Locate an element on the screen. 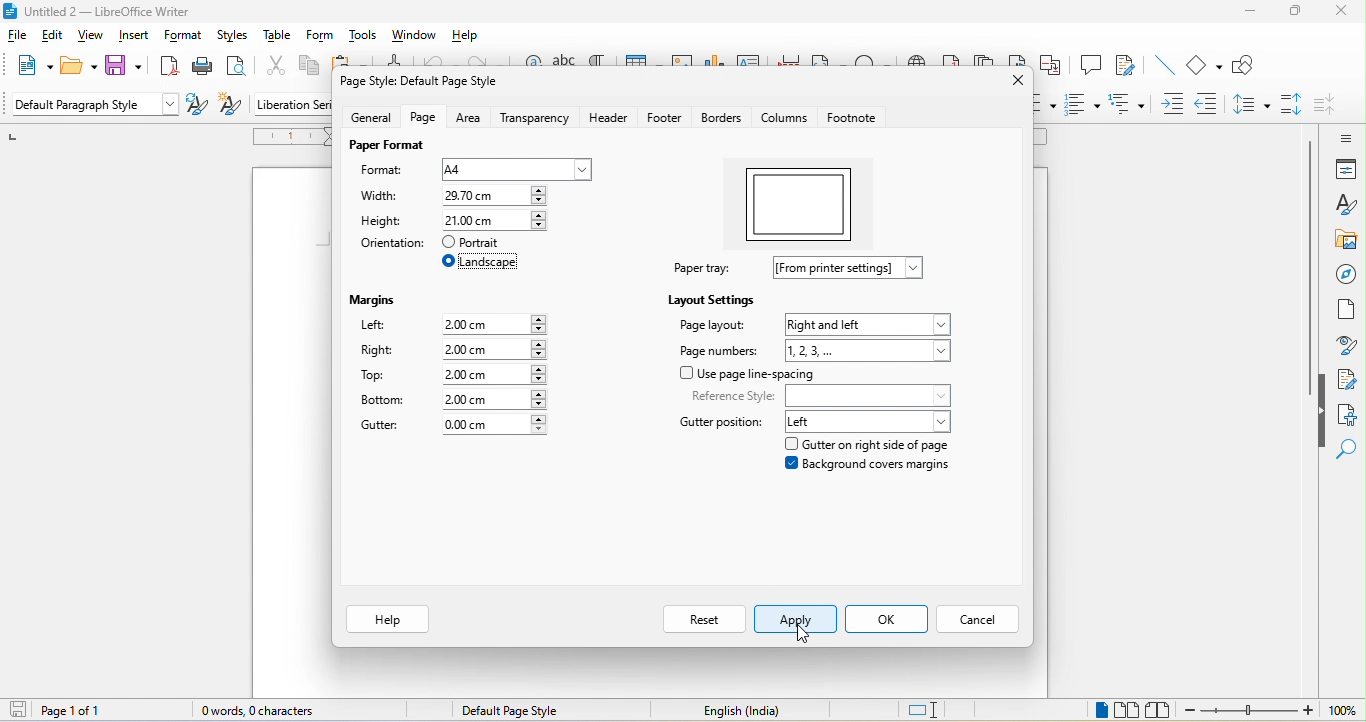  liberation is located at coordinates (294, 104).